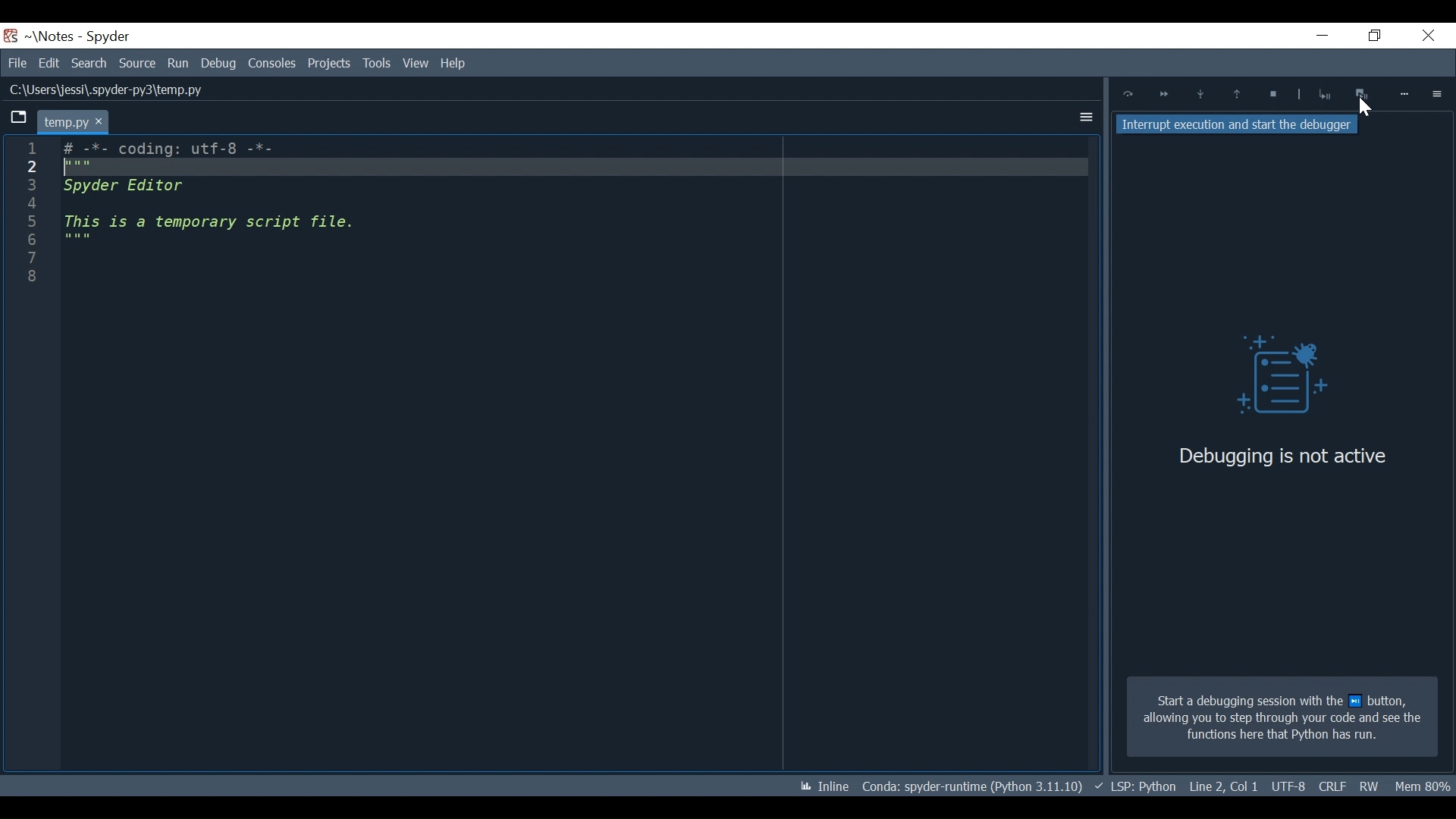 Image resolution: width=1456 pixels, height=819 pixels. What do you see at coordinates (17, 63) in the screenshot?
I see `File` at bounding box center [17, 63].